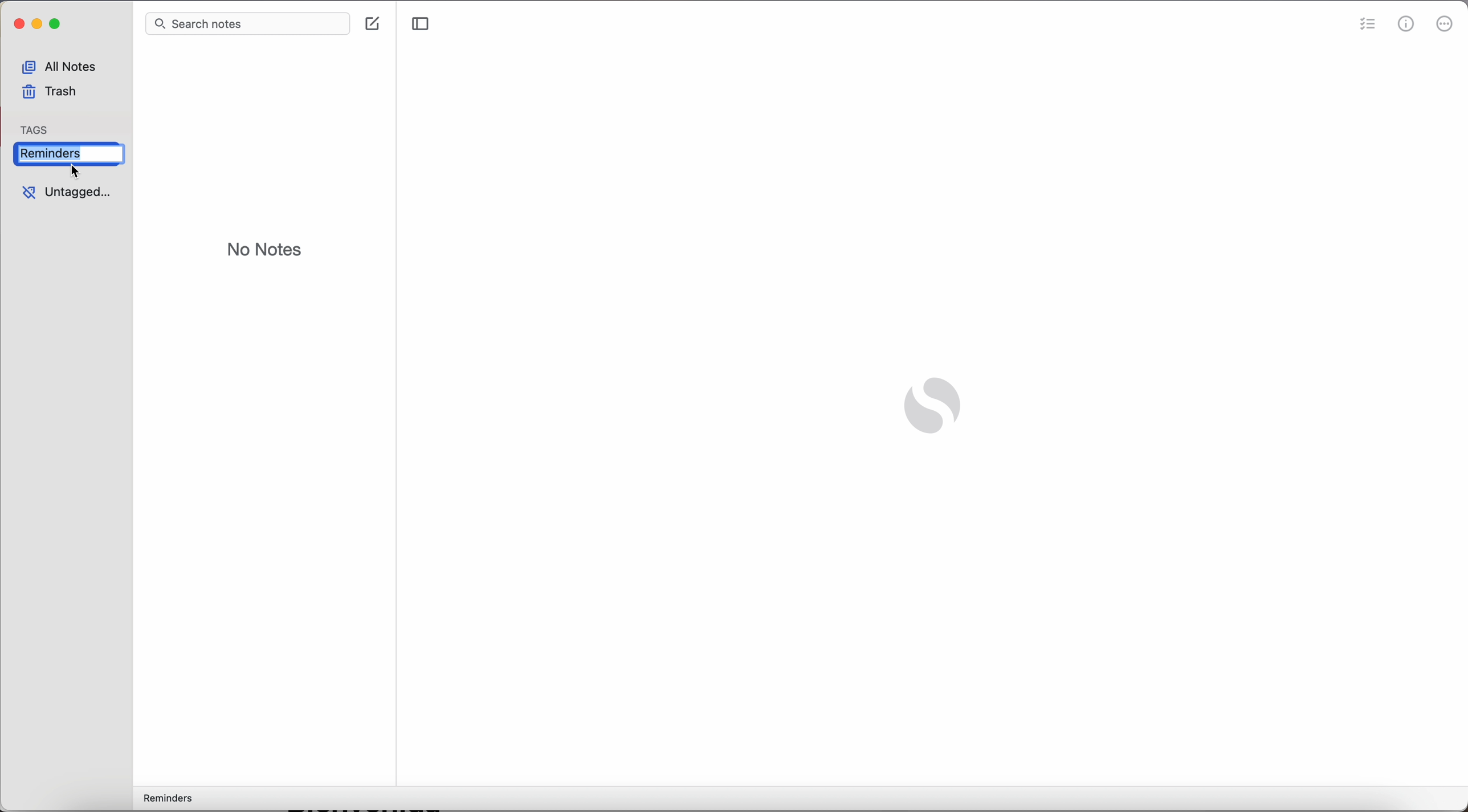  What do you see at coordinates (59, 193) in the screenshot?
I see `untagged` at bounding box center [59, 193].